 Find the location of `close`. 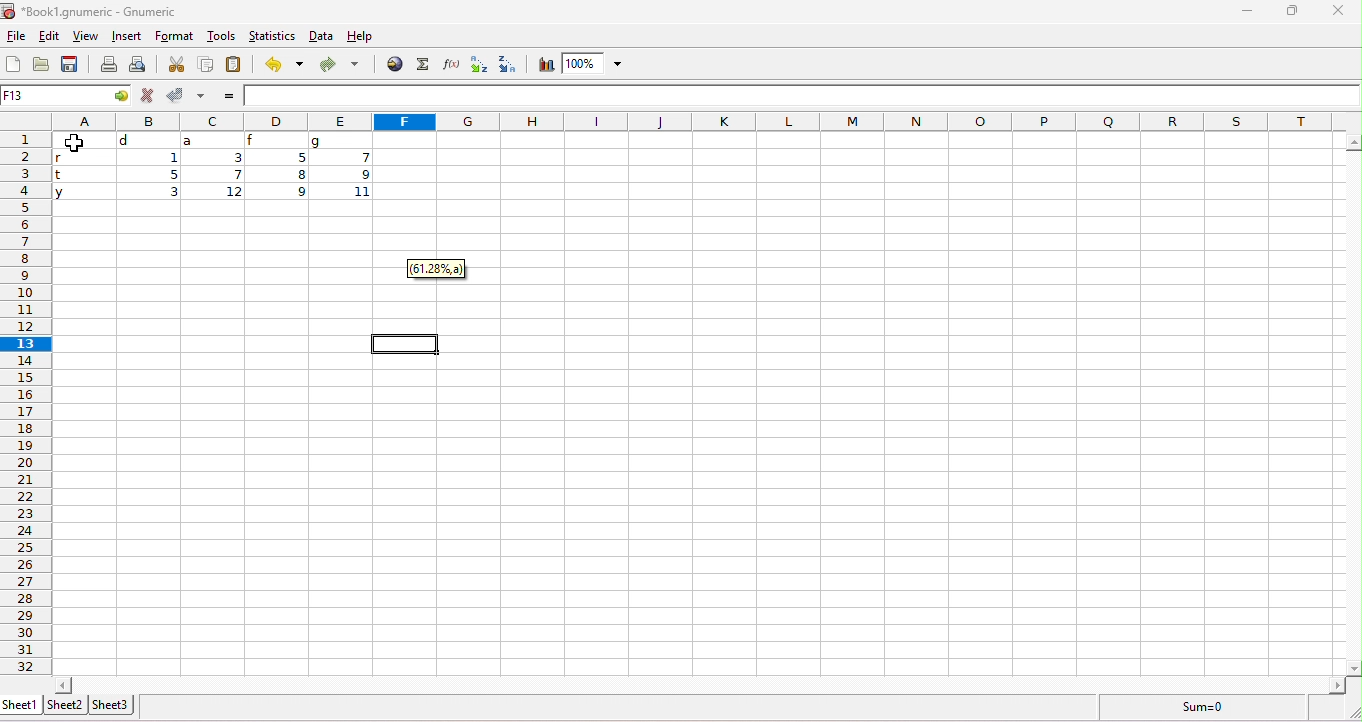

close is located at coordinates (1339, 13).